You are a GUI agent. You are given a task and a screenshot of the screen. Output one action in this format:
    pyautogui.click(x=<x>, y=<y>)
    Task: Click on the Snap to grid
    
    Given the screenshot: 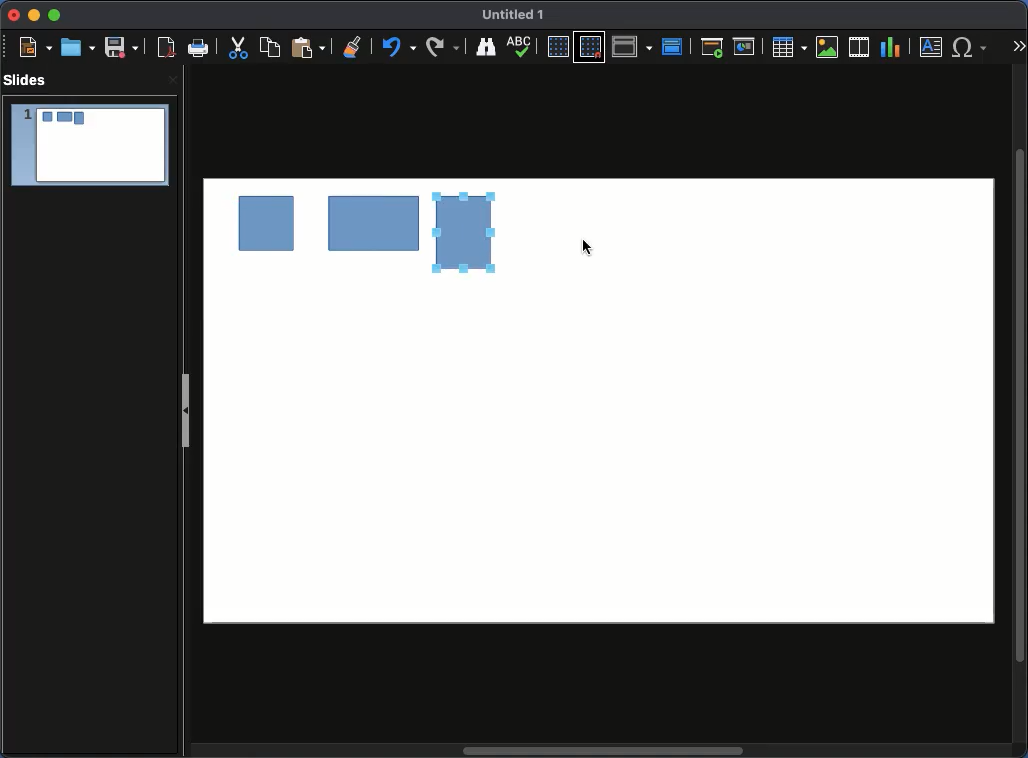 What is the action you would take?
    pyautogui.click(x=590, y=47)
    